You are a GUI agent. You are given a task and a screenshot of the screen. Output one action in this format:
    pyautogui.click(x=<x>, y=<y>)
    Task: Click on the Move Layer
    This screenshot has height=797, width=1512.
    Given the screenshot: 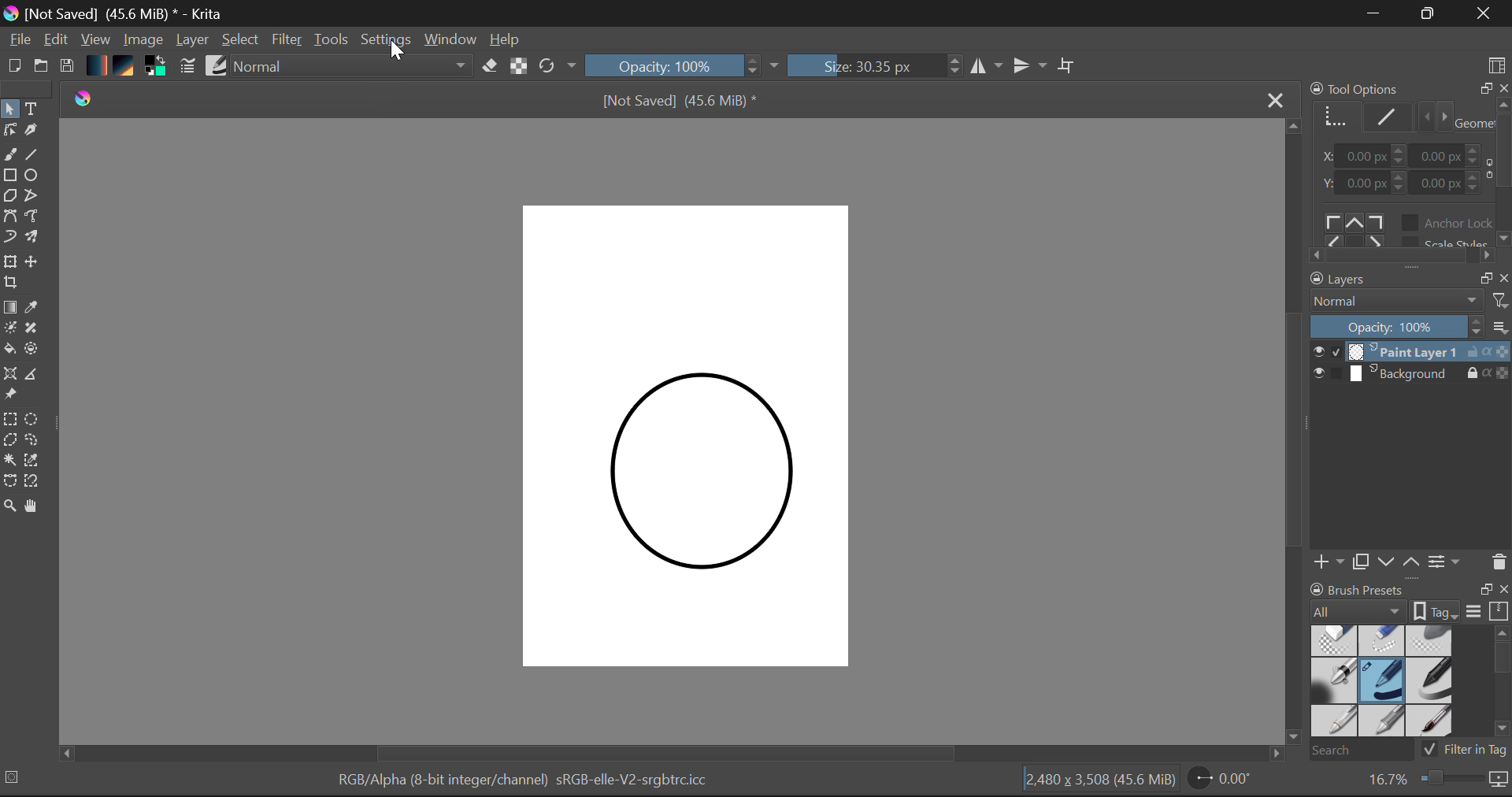 What is the action you would take?
    pyautogui.click(x=34, y=262)
    